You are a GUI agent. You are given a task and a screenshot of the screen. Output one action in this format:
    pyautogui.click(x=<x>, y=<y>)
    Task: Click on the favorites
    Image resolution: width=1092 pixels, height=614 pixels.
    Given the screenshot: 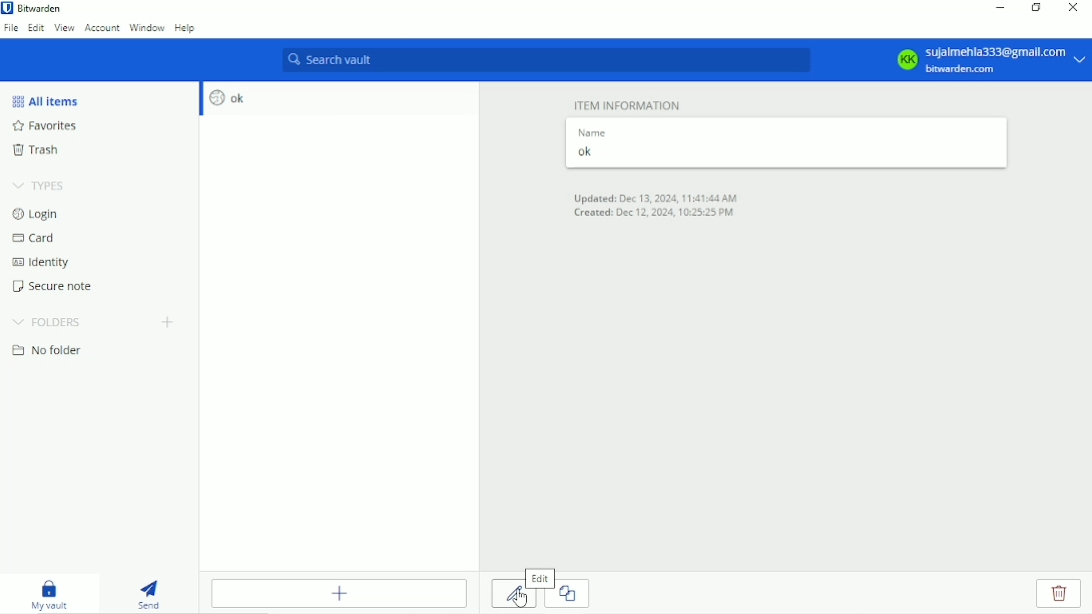 What is the action you would take?
    pyautogui.click(x=46, y=127)
    